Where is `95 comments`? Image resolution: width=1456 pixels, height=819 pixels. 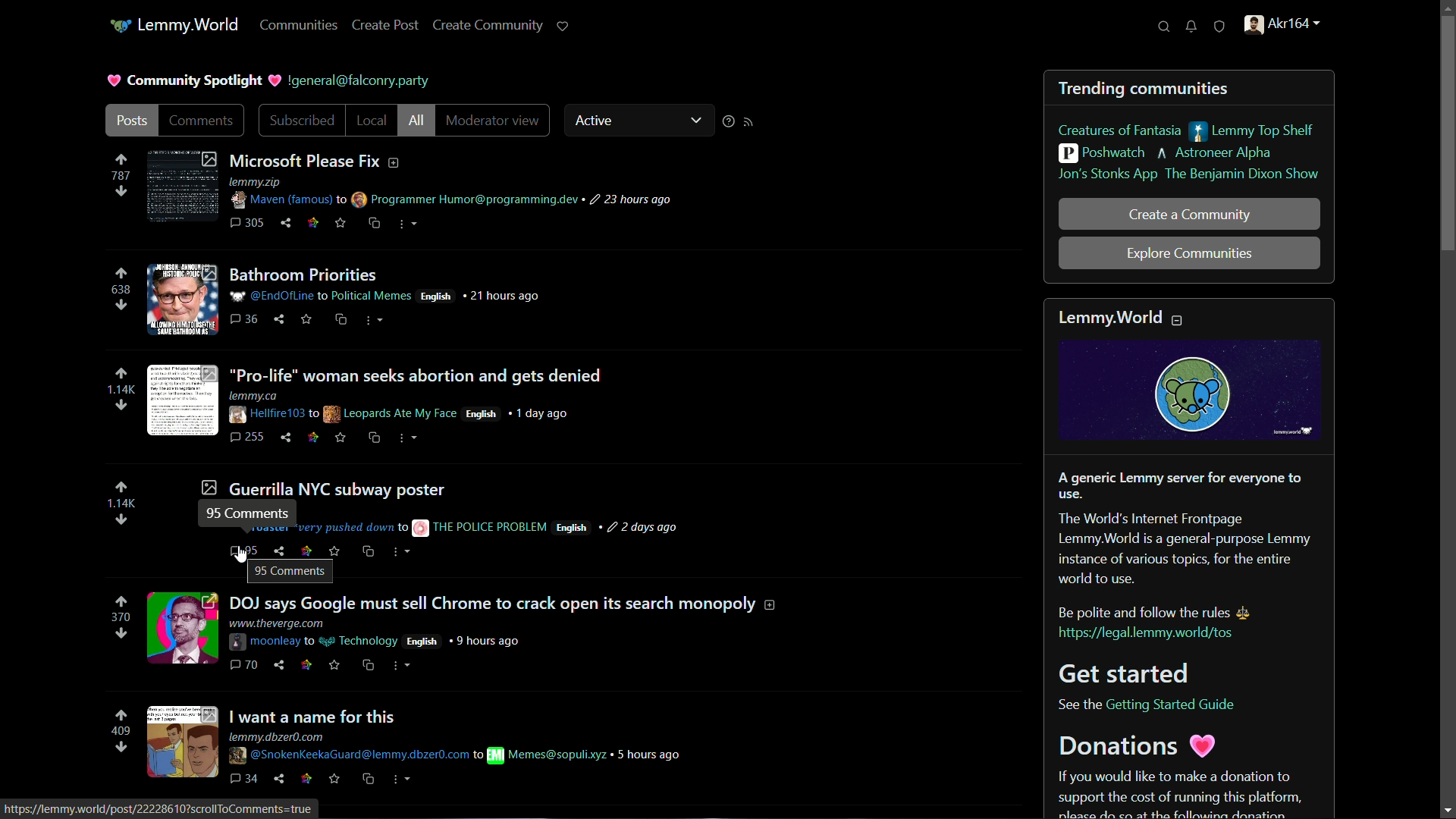 95 comments is located at coordinates (244, 554).